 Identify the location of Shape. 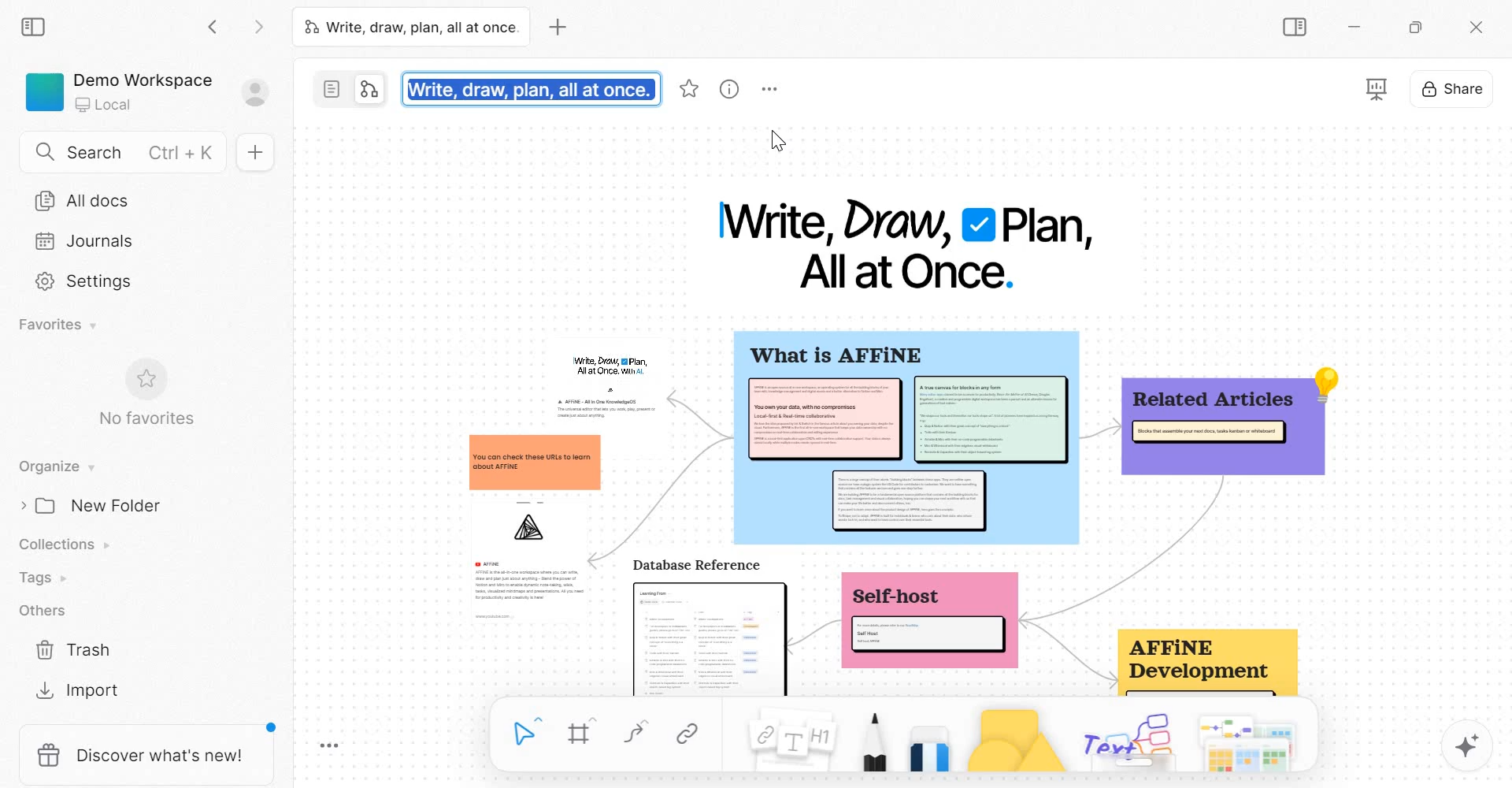
(1015, 739).